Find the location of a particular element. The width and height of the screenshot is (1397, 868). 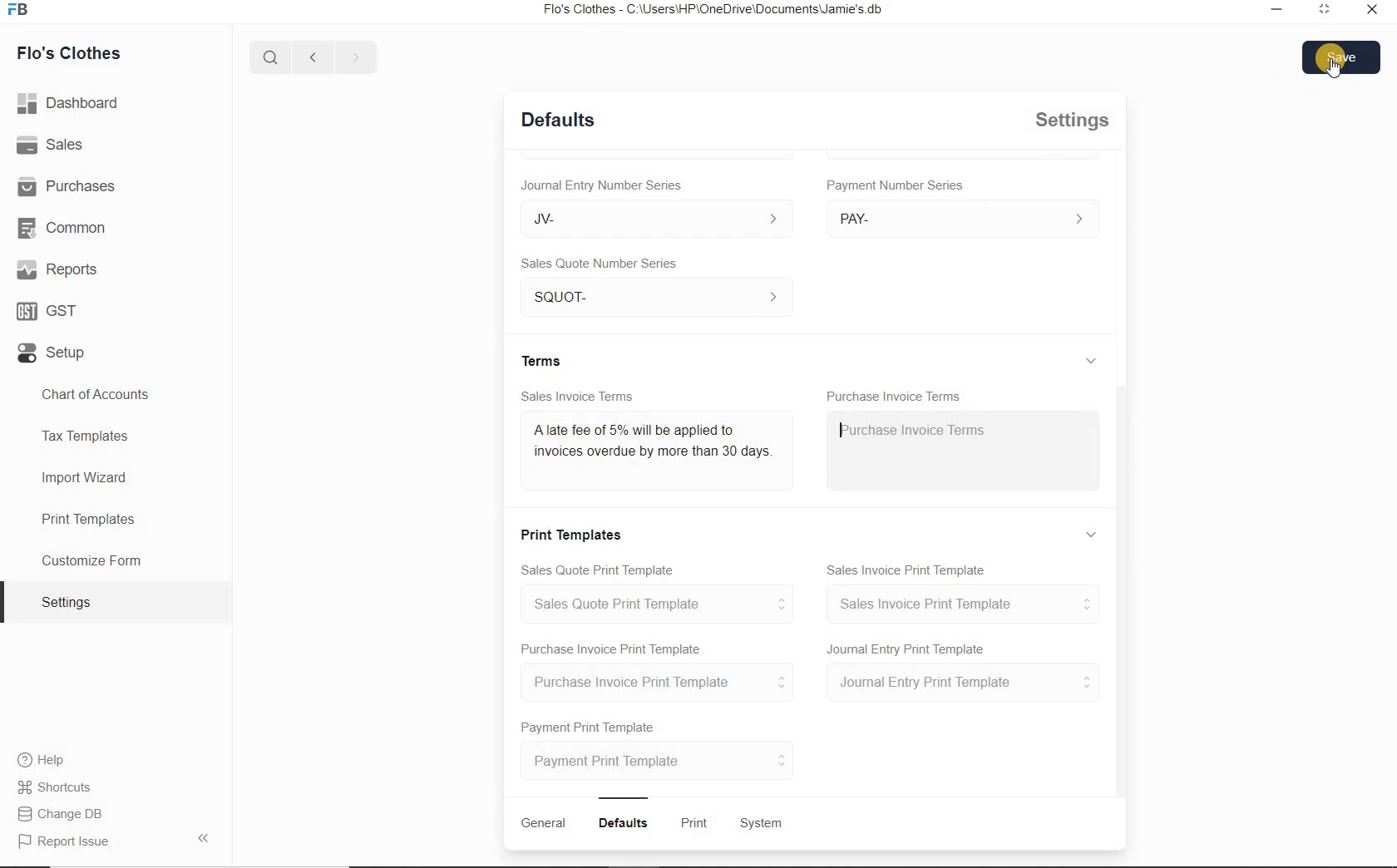

Change DB is located at coordinates (62, 816).